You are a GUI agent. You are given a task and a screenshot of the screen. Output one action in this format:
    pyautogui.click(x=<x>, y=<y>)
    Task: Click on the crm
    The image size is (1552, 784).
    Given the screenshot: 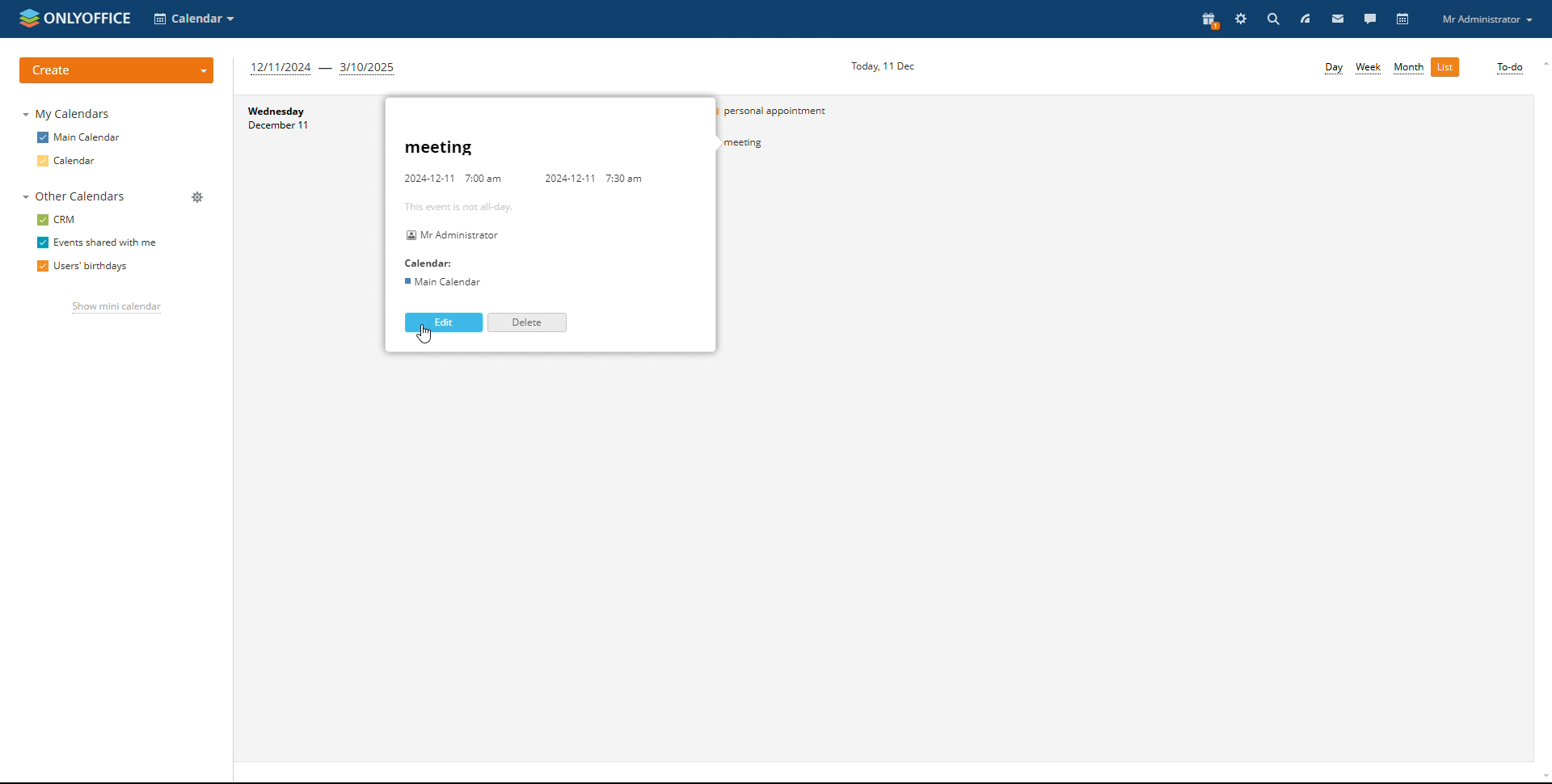 What is the action you would take?
    pyautogui.click(x=59, y=219)
    